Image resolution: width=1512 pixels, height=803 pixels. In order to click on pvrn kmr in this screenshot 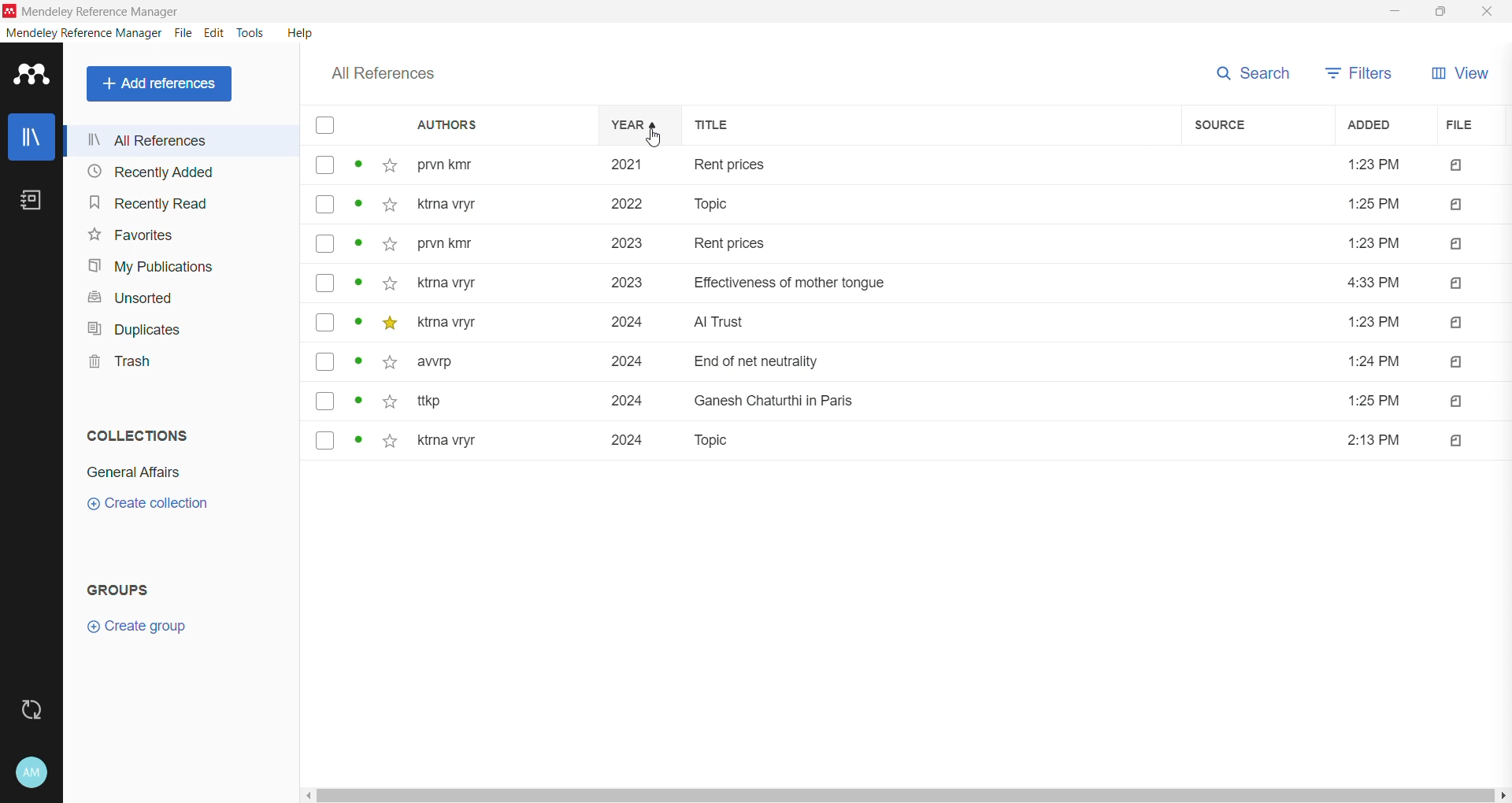, I will do `click(448, 246)`.